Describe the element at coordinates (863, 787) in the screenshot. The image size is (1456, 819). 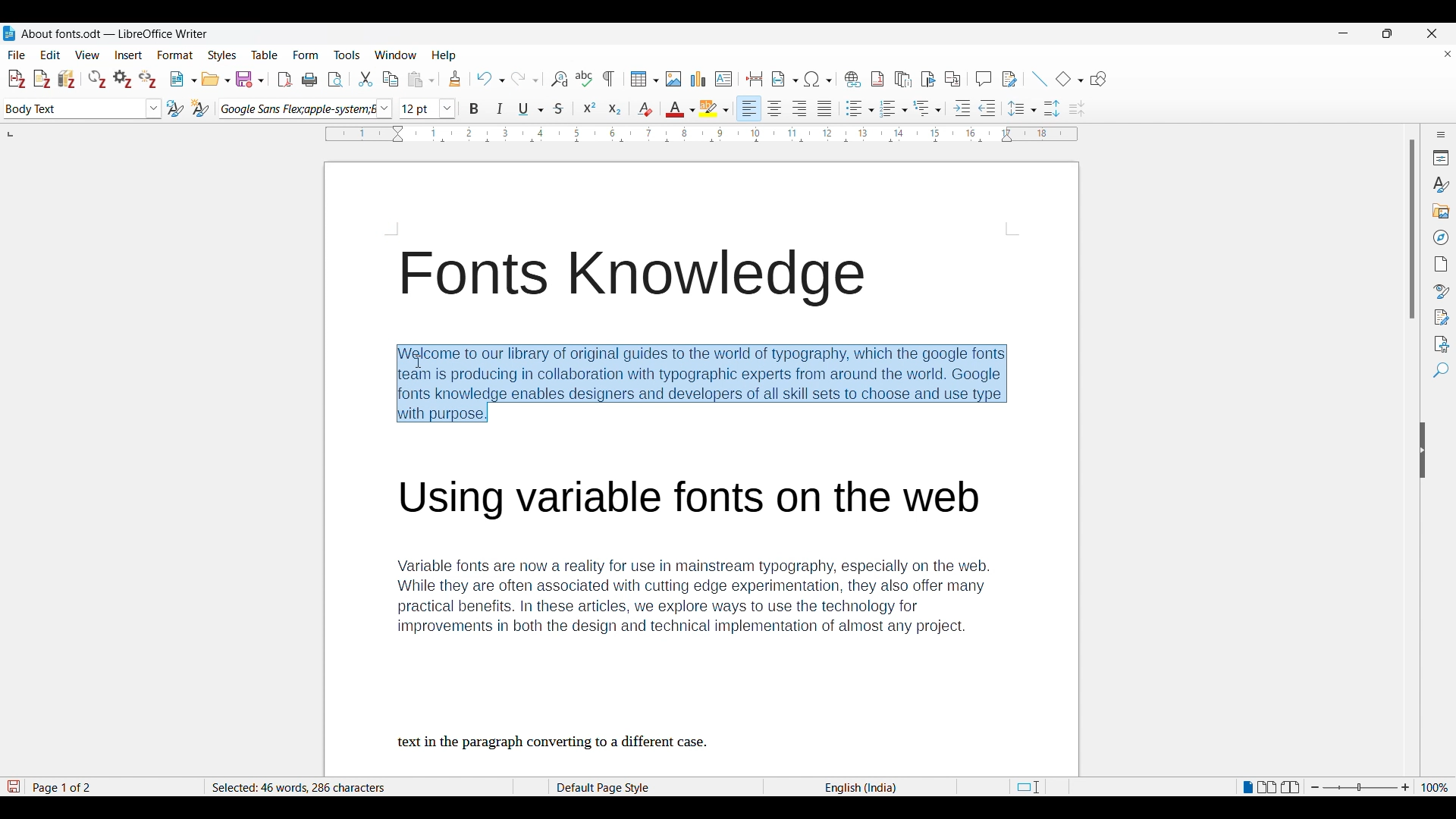
I see `Current language` at that location.